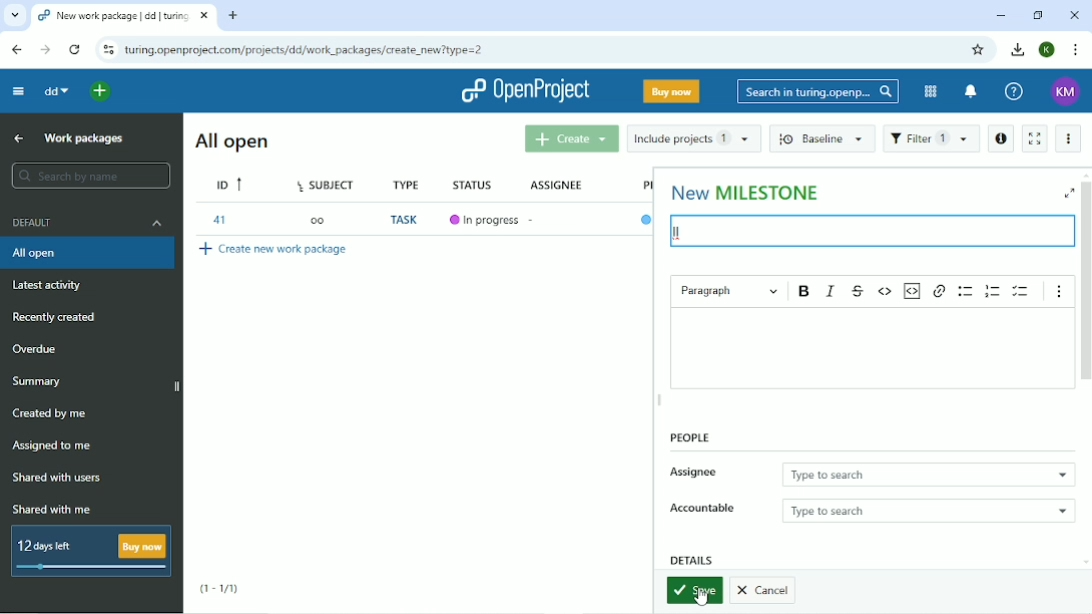  What do you see at coordinates (831, 291) in the screenshot?
I see `Italic` at bounding box center [831, 291].